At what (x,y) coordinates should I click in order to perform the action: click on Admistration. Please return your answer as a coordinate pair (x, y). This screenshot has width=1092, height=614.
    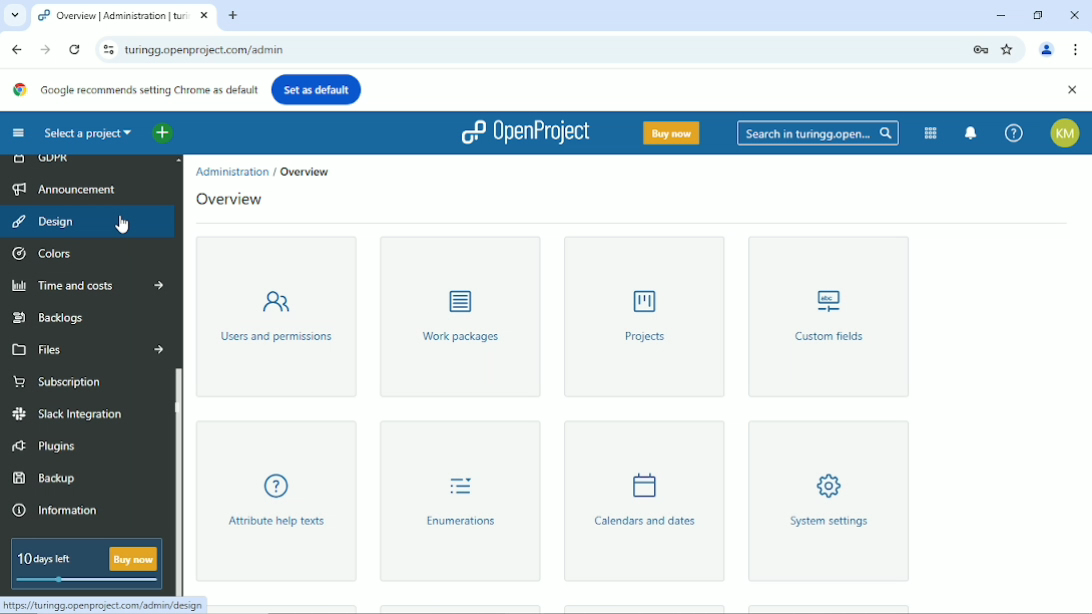
    Looking at the image, I should click on (232, 172).